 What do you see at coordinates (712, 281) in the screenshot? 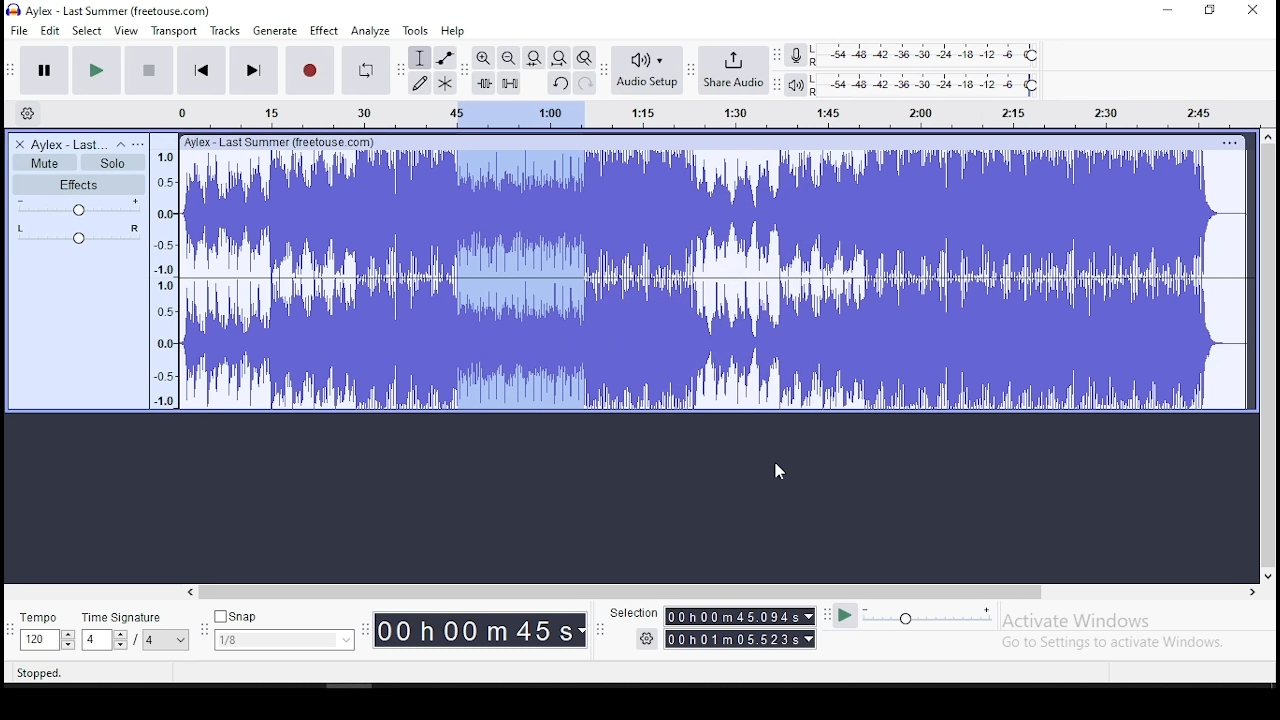
I see `audio track` at bounding box center [712, 281].